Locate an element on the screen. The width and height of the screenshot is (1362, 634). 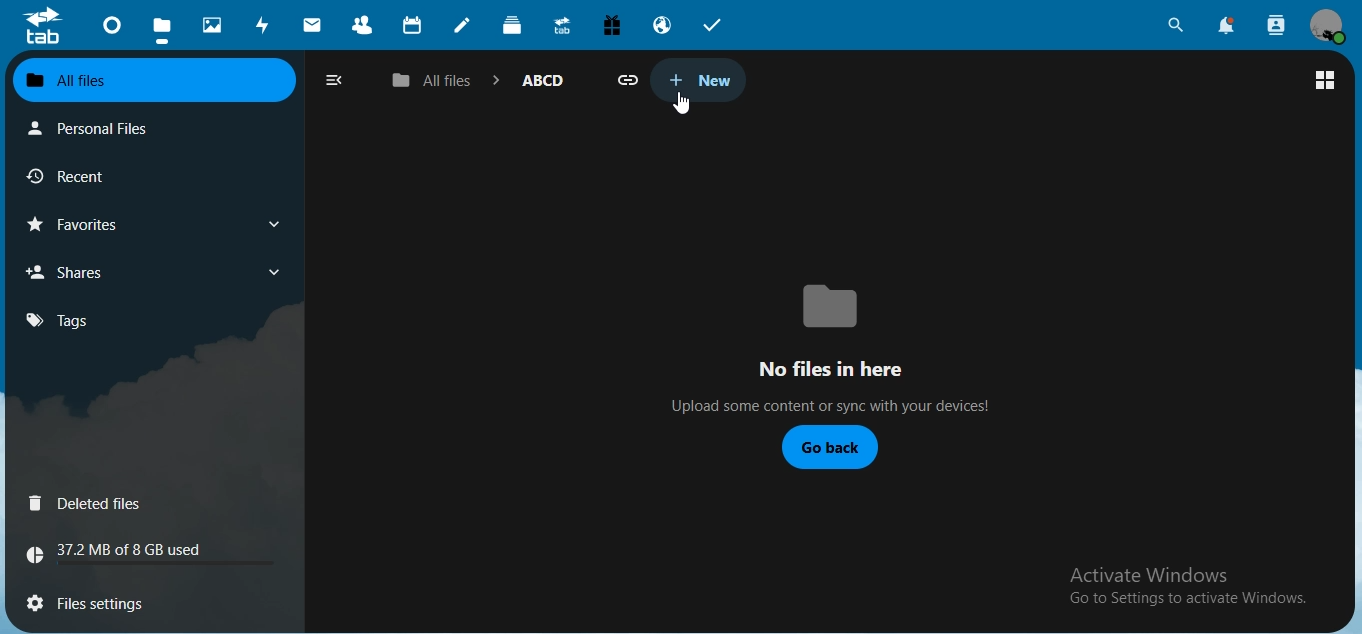
contacts is located at coordinates (363, 27).